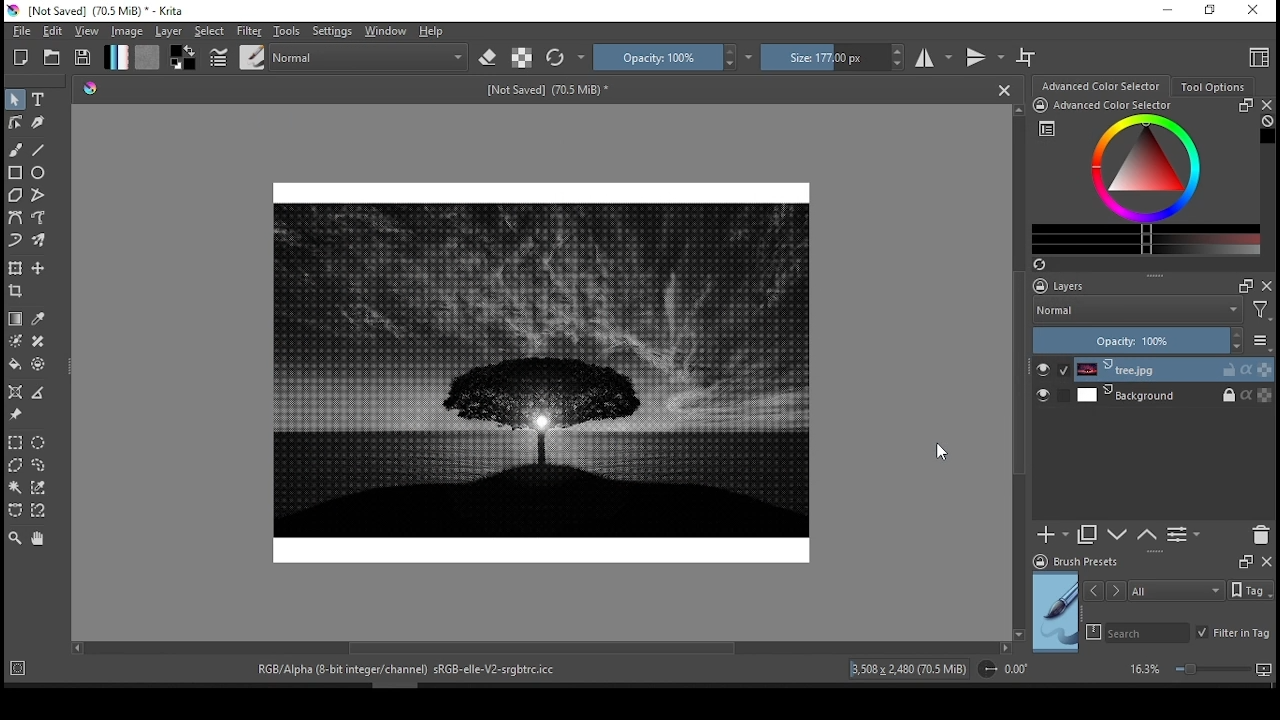  I want to click on view/change layer properties, so click(1188, 535).